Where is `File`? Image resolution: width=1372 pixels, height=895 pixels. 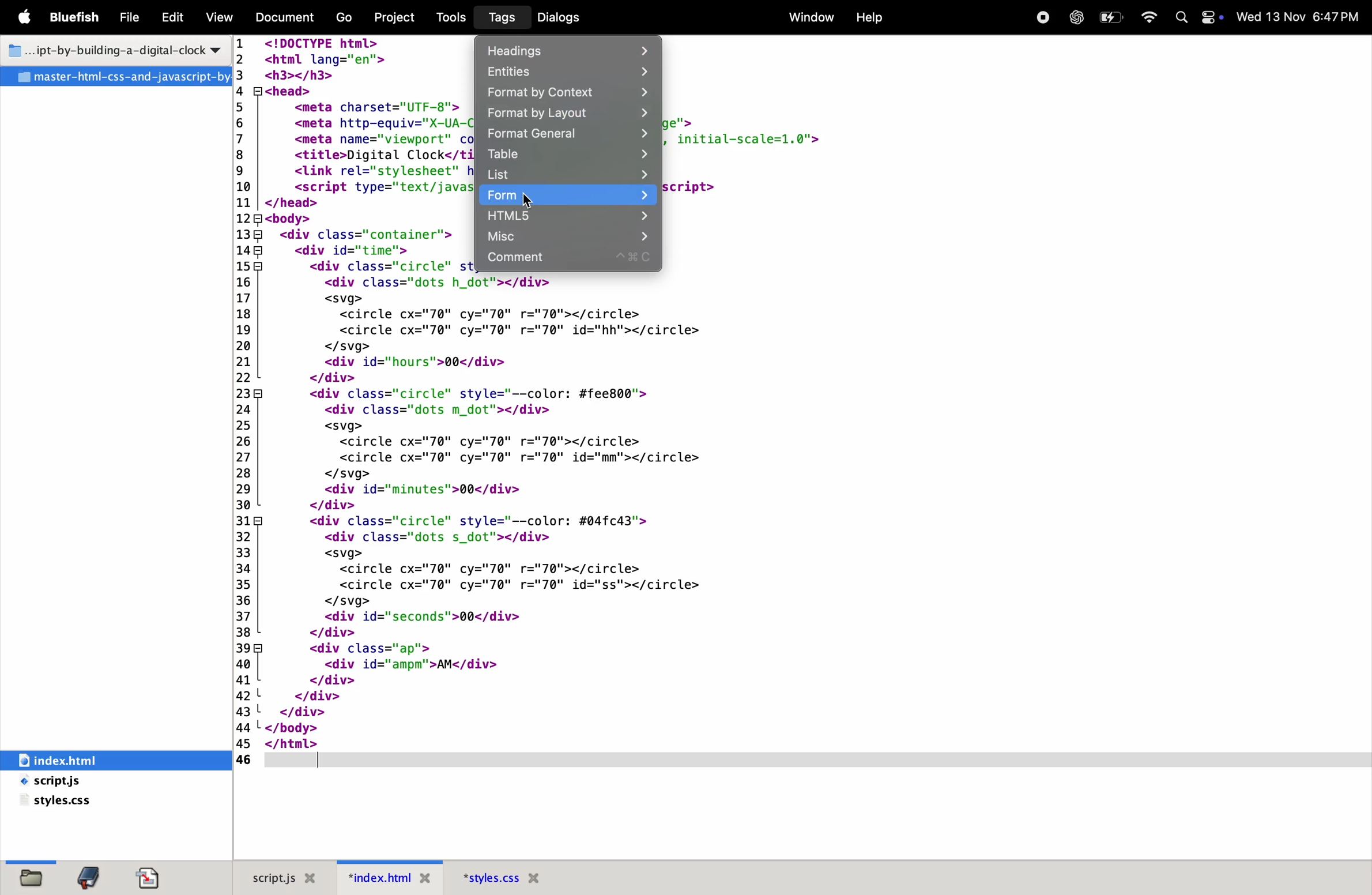
File is located at coordinates (133, 17).